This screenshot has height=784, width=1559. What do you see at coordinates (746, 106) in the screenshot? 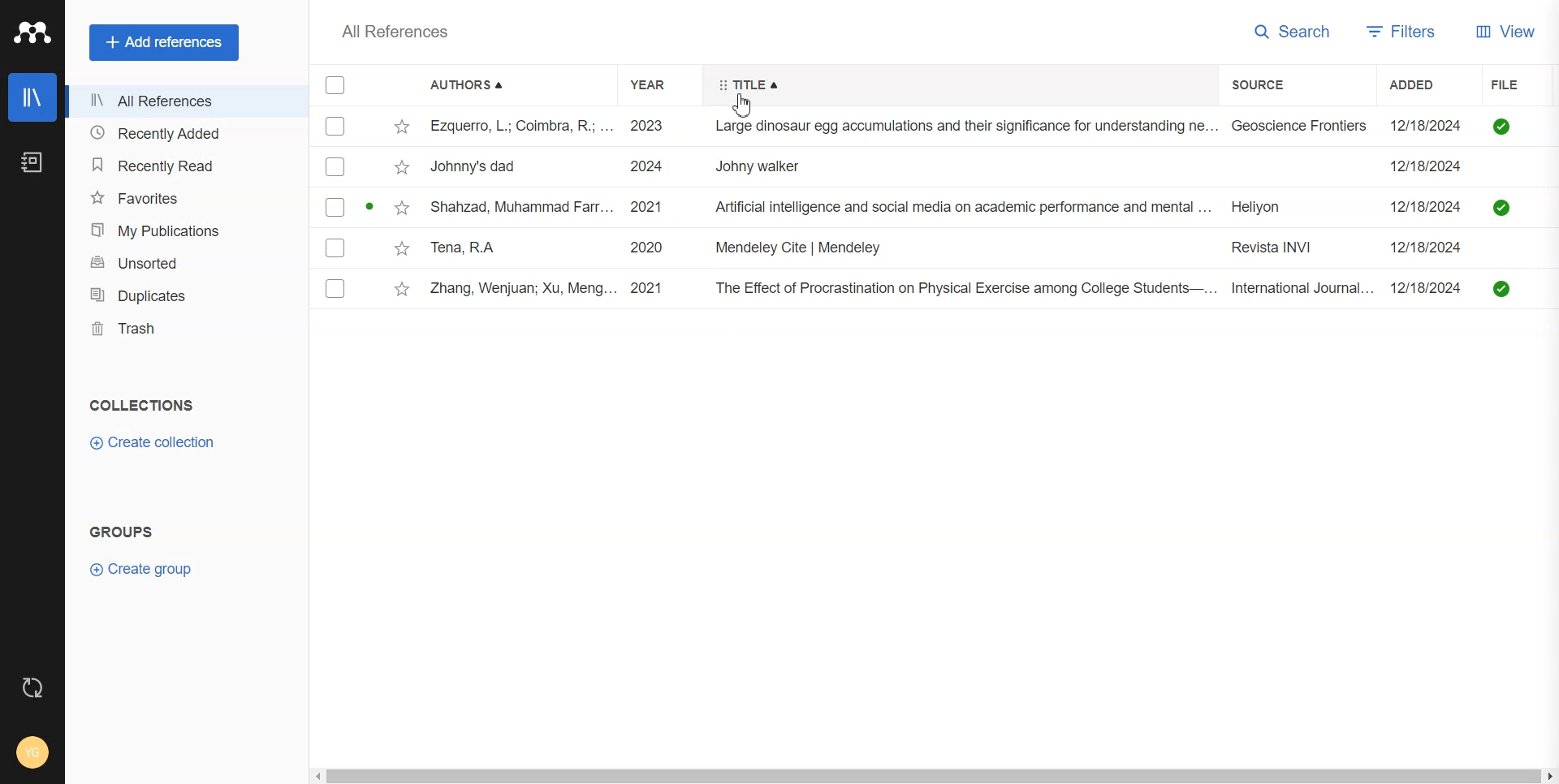
I see `Cursor` at bounding box center [746, 106].